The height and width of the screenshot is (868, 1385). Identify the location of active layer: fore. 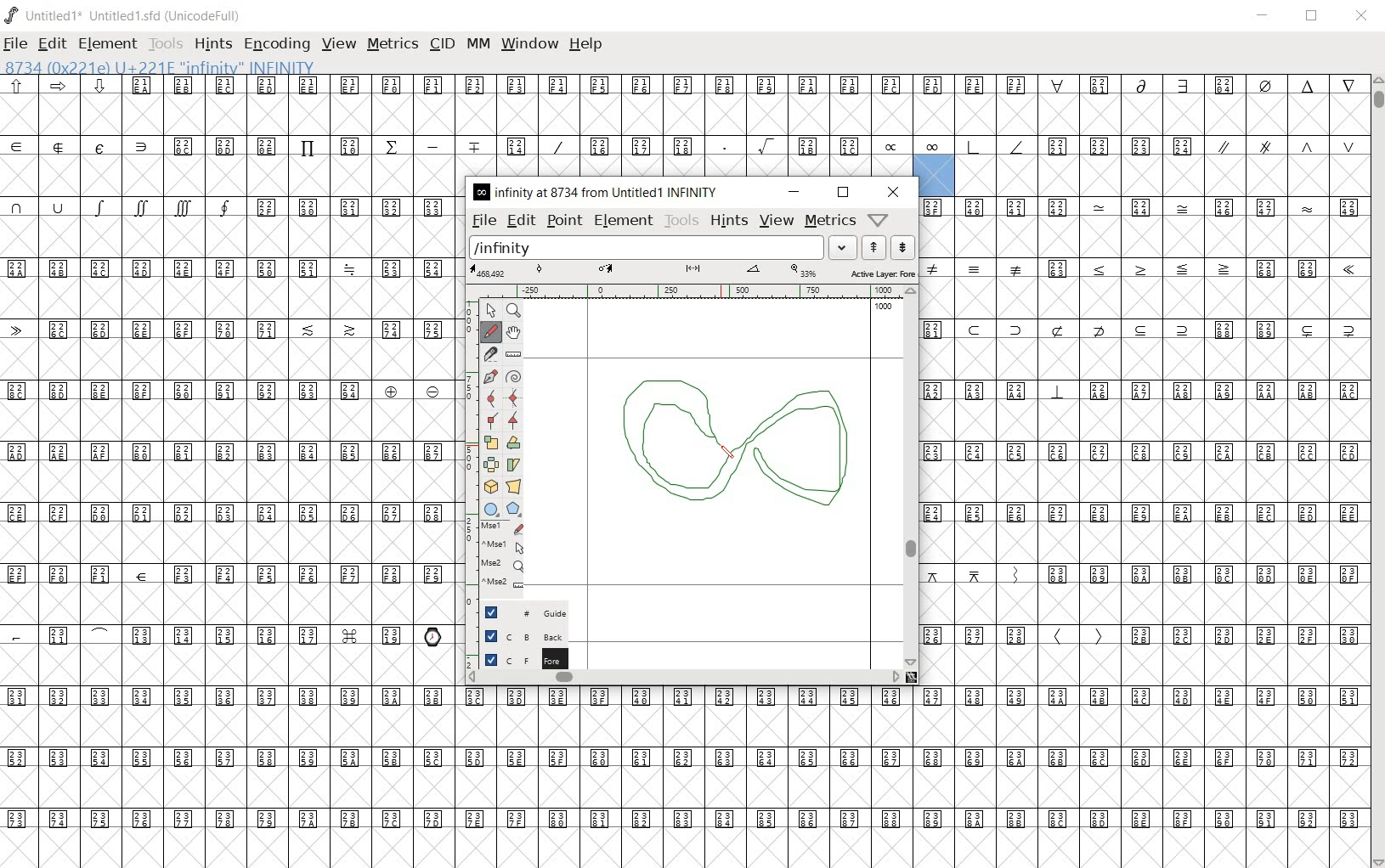
(692, 272).